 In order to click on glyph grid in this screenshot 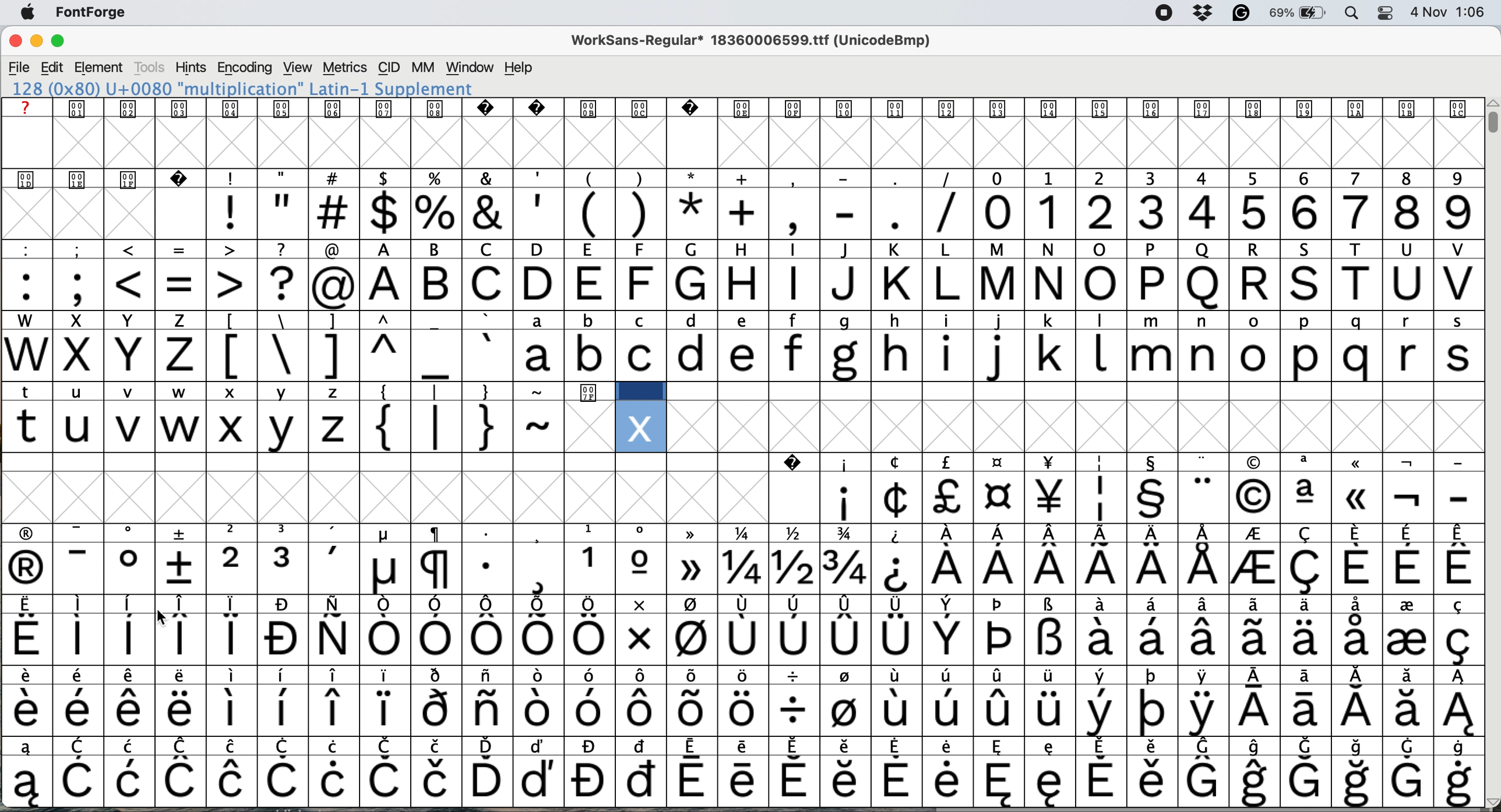, I will do `click(429, 495)`.